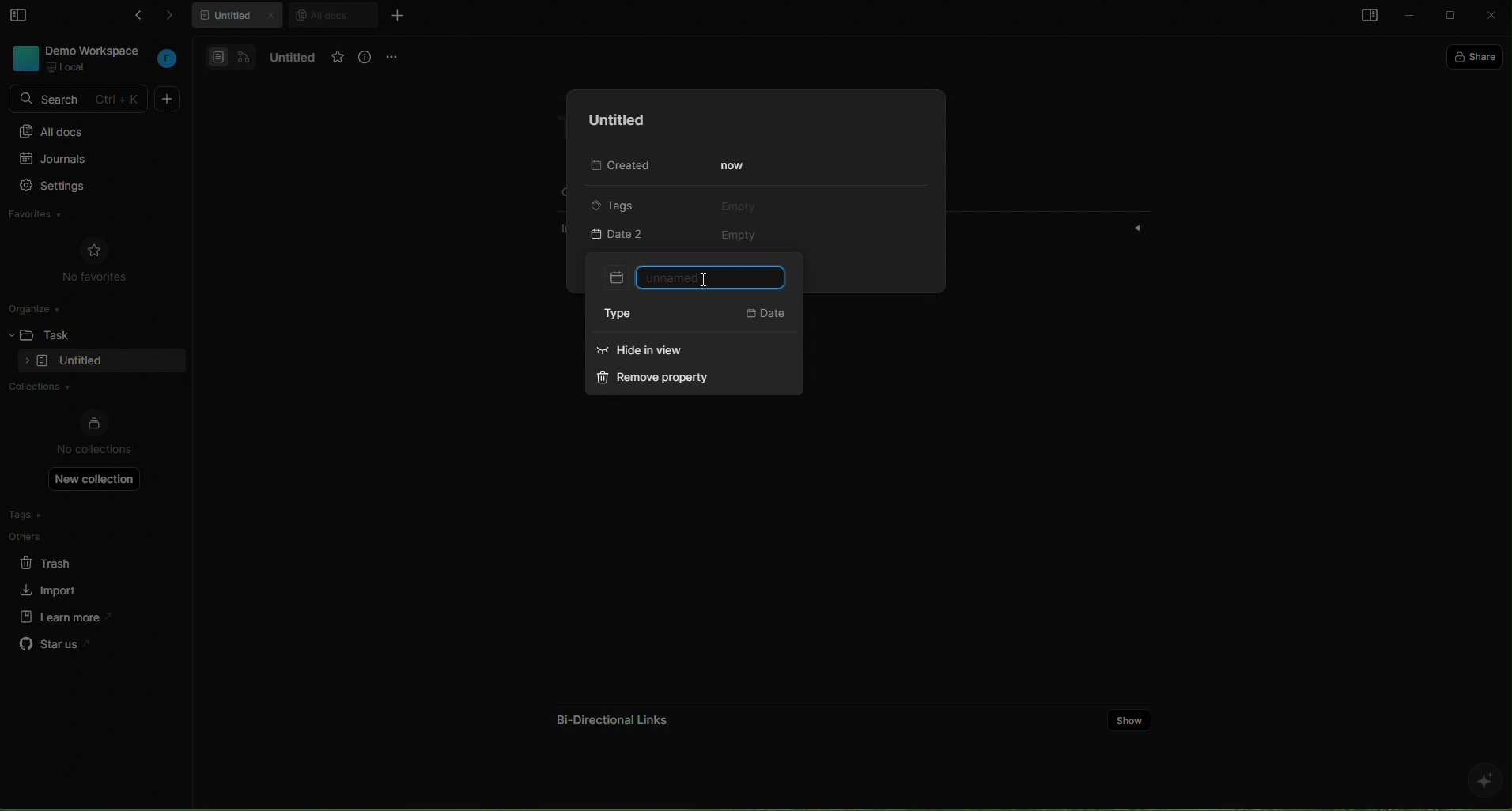 Image resolution: width=1512 pixels, height=811 pixels. Describe the element at coordinates (1411, 17) in the screenshot. I see `minimize` at that location.